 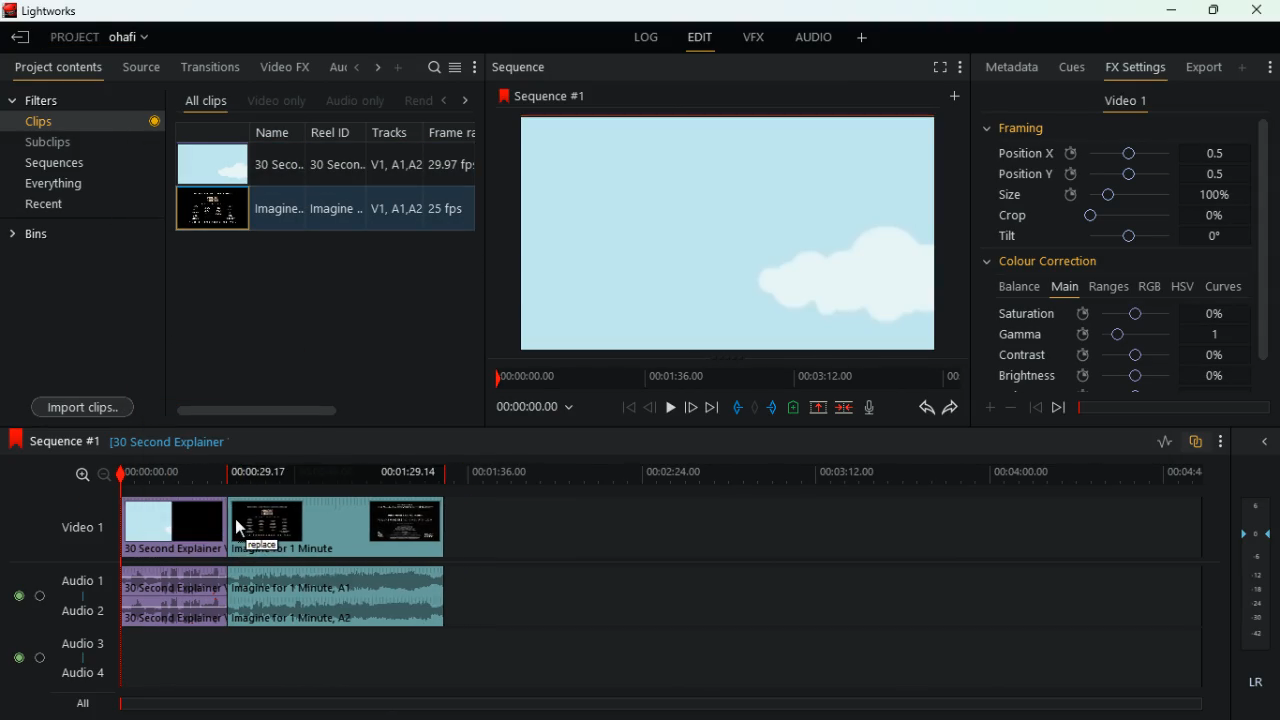 I want to click on back, so click(x=355, y=67).